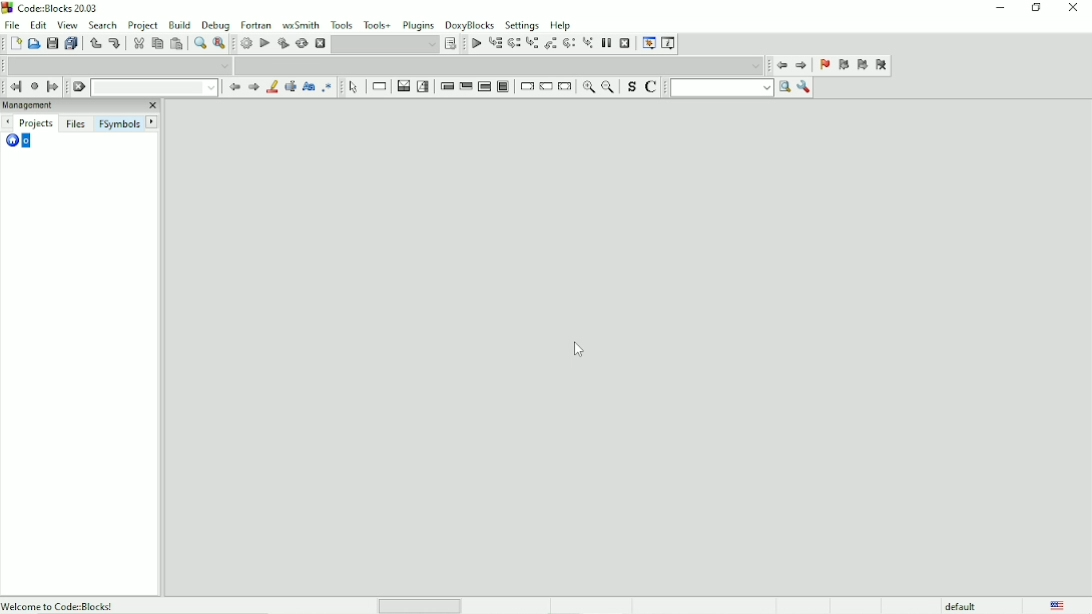  What do you see at coordinates (565, 87) in the screenshot?
I see `Return instruction` at bounding box center [565, 87].